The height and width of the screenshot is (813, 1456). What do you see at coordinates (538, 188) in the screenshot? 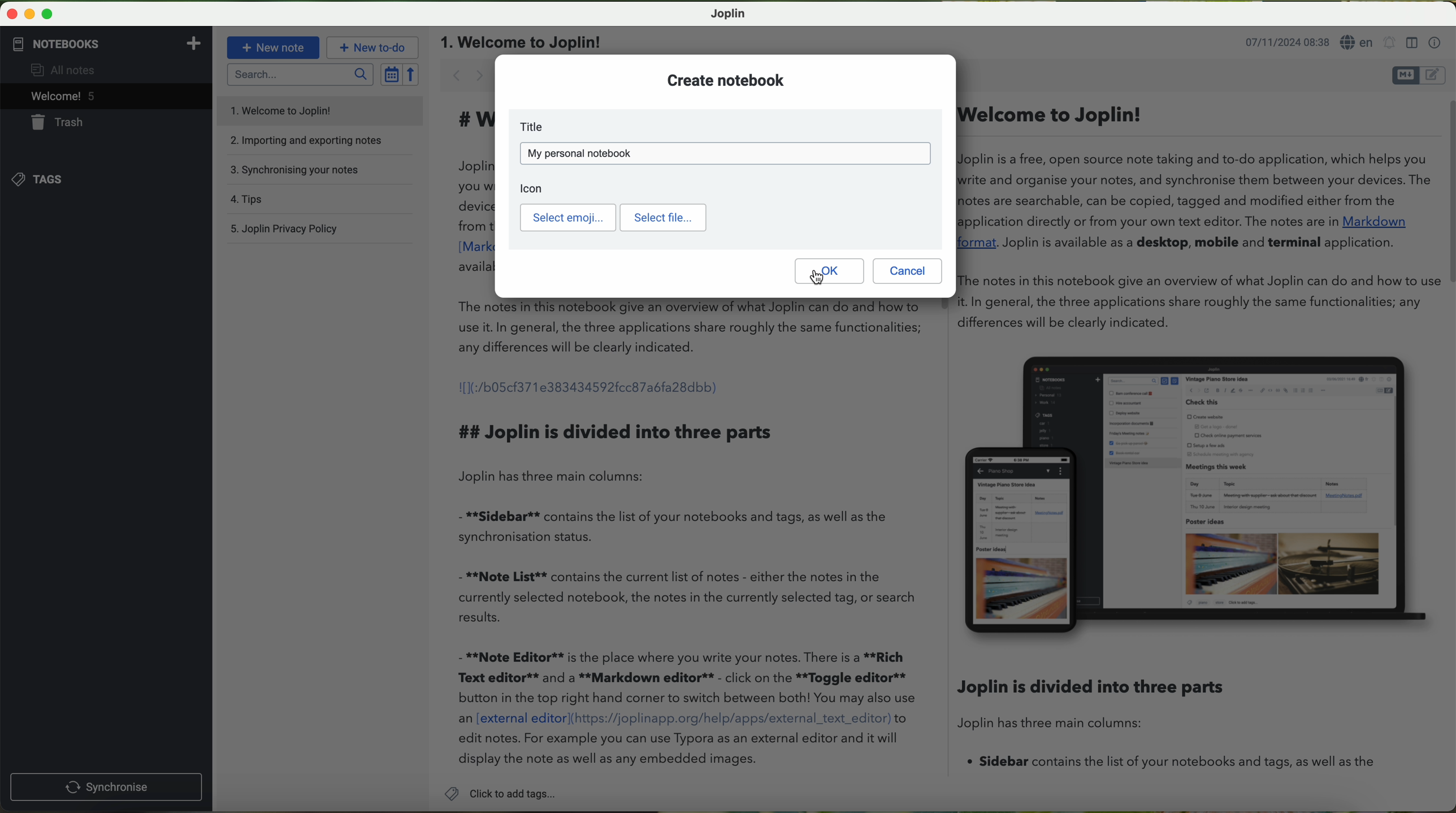
I see `icon` at bounding box center [538, 188].